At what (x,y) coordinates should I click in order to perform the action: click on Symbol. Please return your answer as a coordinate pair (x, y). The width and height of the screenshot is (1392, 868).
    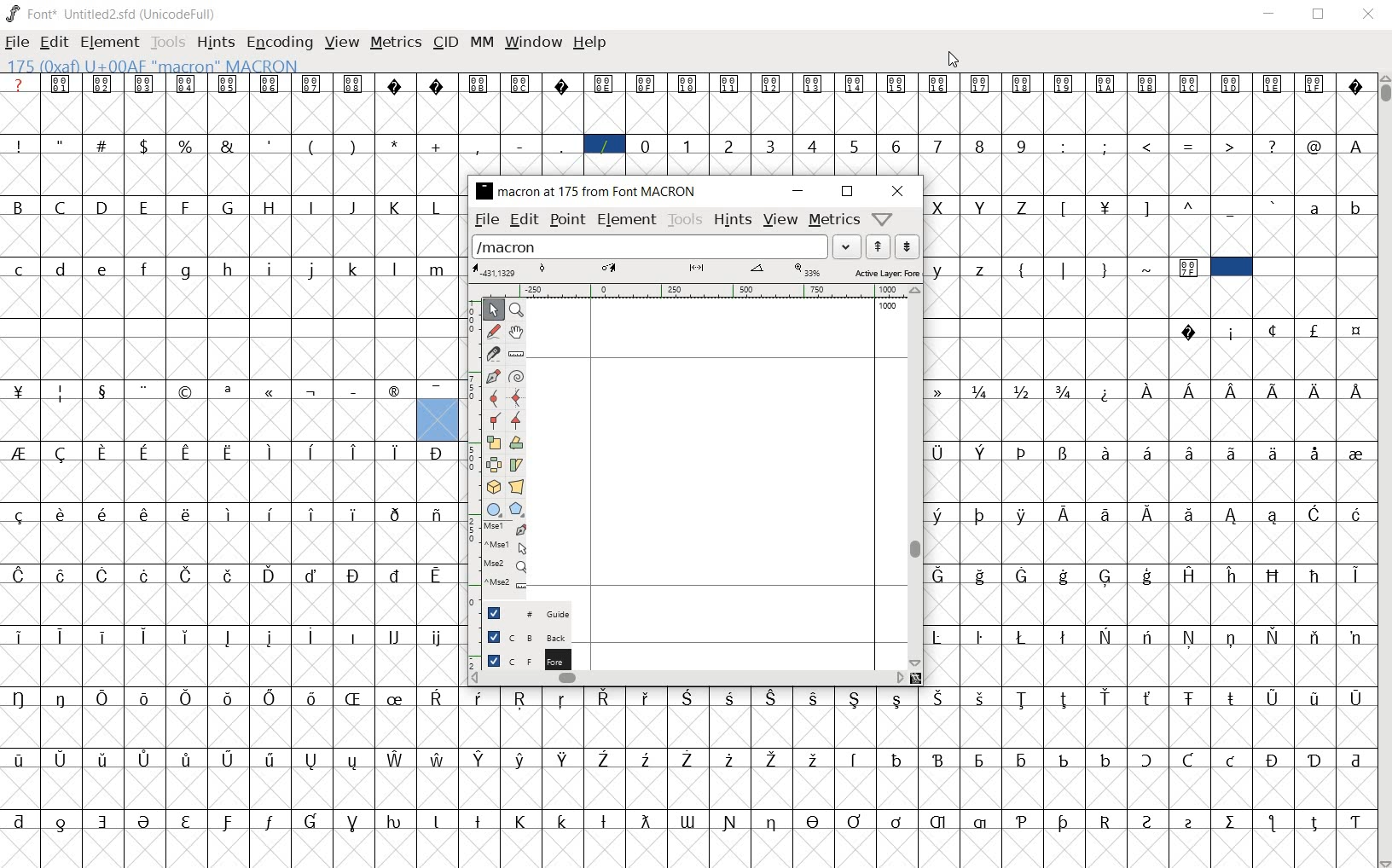
    Looking at the image, I should click on (1107, 697).